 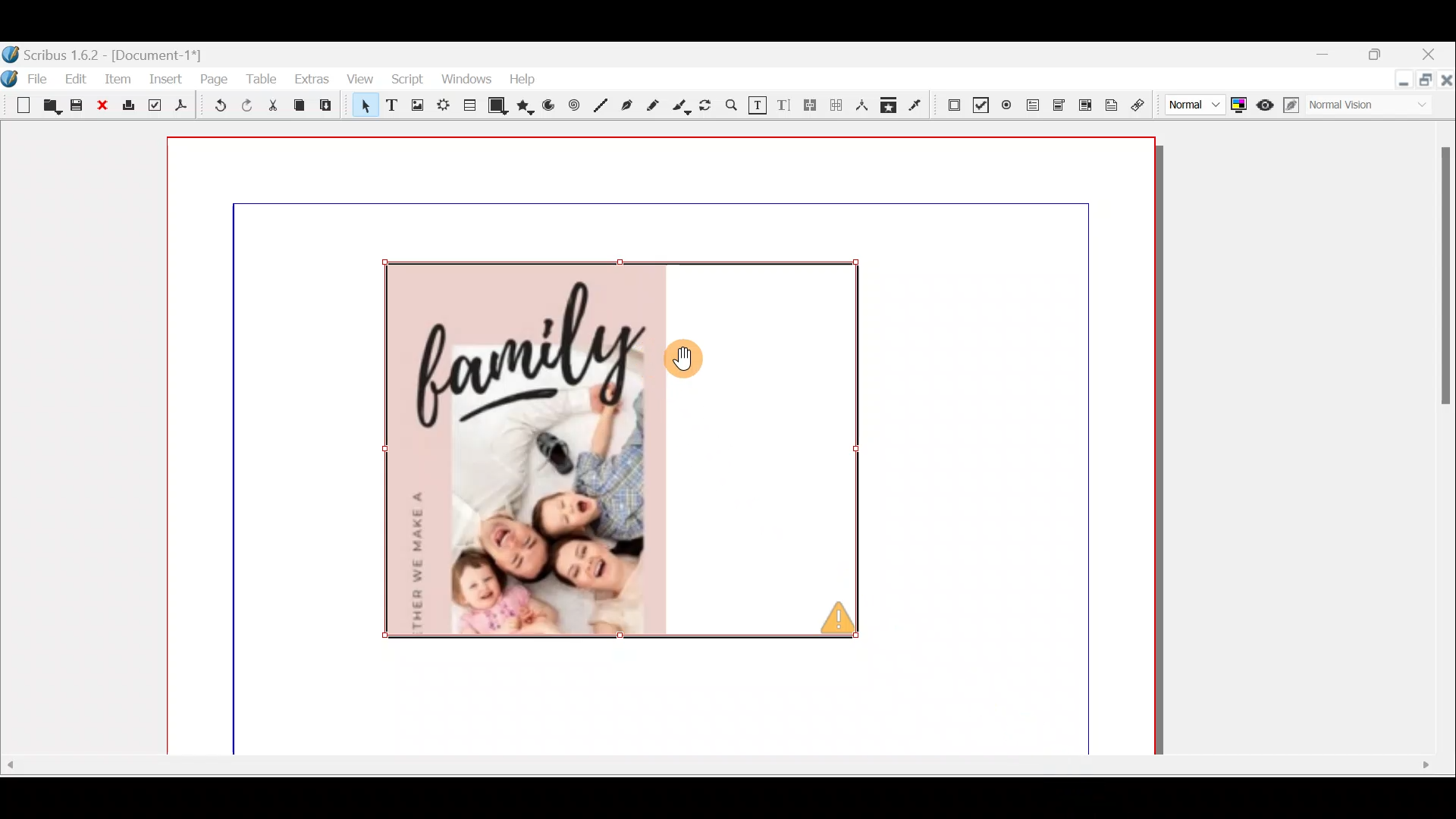 I want to click on PDF List box, so click(x=1085, y=103).